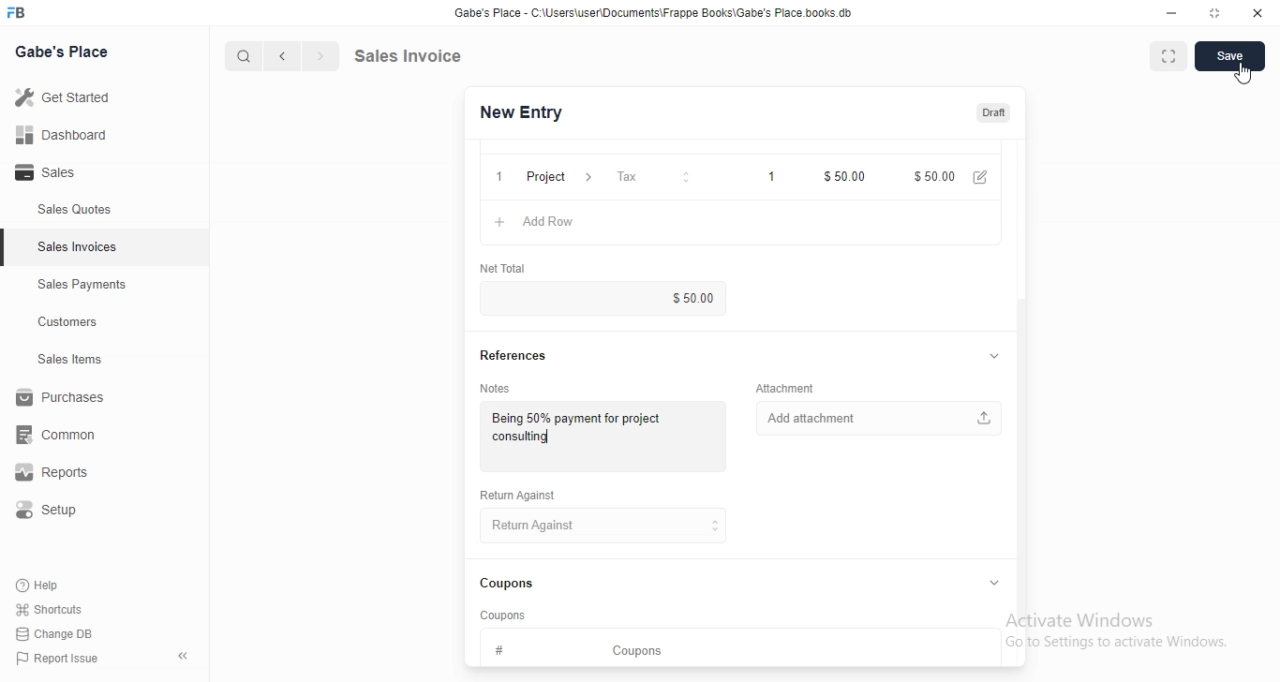 The height and width of the screenshot is (682, 1280). Describe the element at coordinates (994, 584) in the screenshot. I see `collapse/expand` at that location.